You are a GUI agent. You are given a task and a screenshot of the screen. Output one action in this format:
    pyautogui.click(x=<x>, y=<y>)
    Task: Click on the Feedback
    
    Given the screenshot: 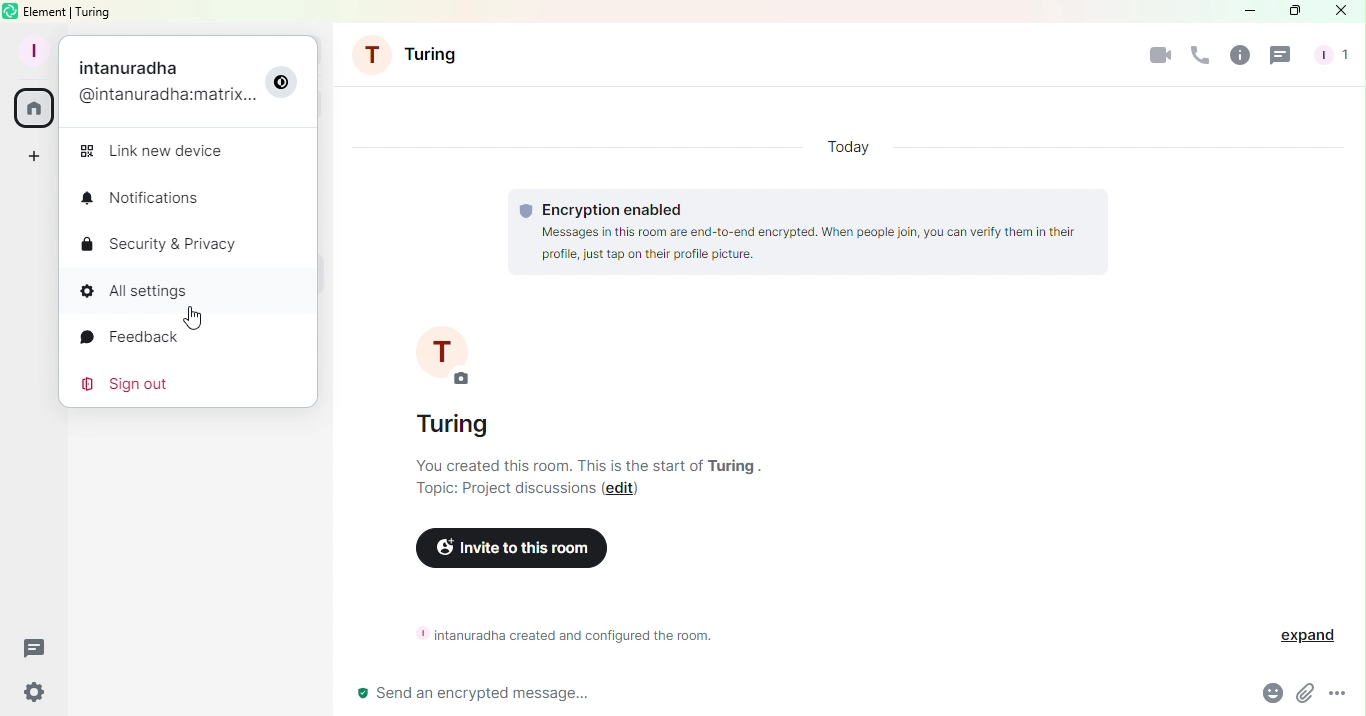 What is the action you would take?
    pyautogui.click(x=122, y=340)
    